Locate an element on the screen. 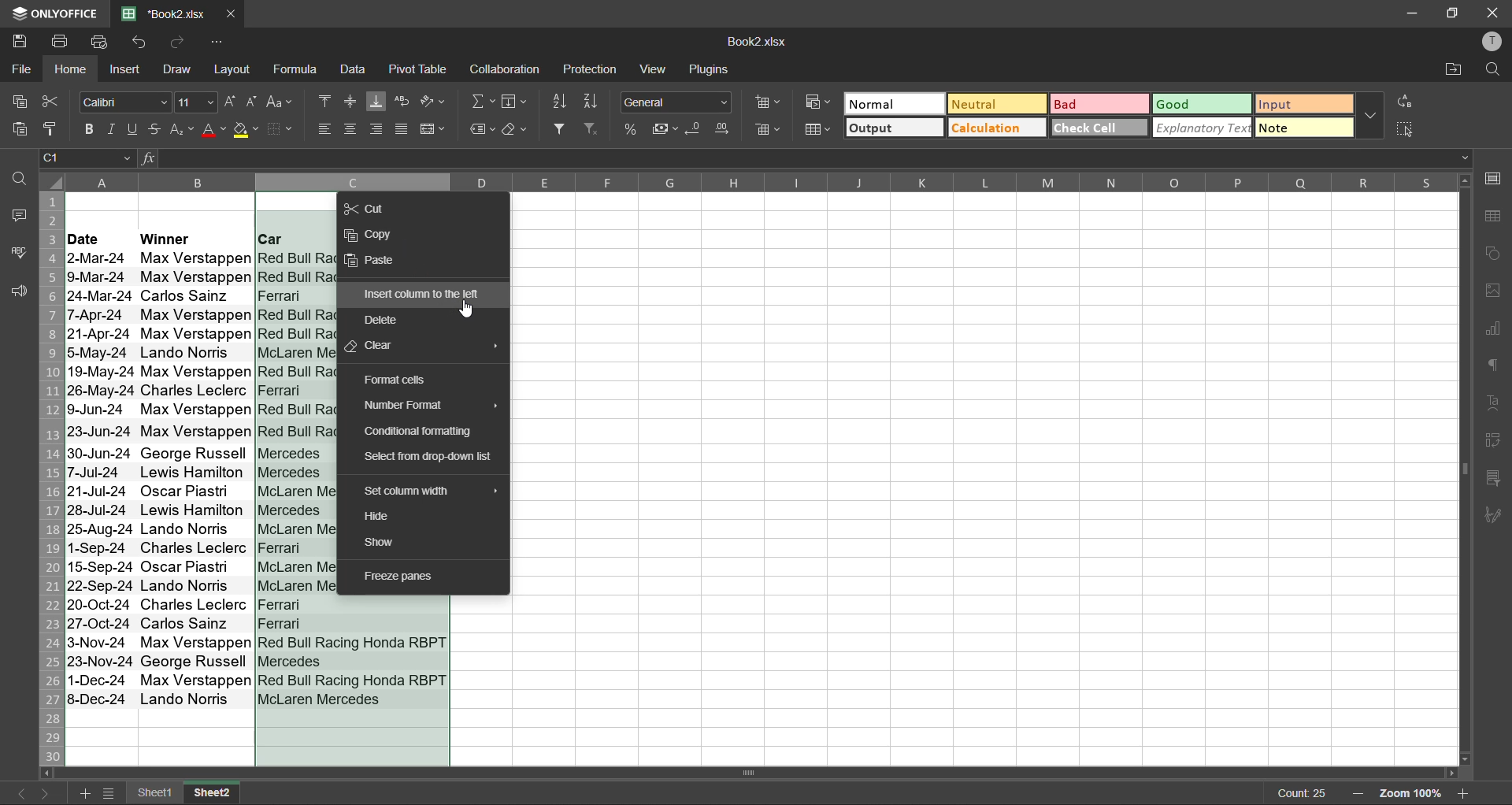 The height and width of the screenshot is (805, 1512). align middle is located at coordinates (350, 99).